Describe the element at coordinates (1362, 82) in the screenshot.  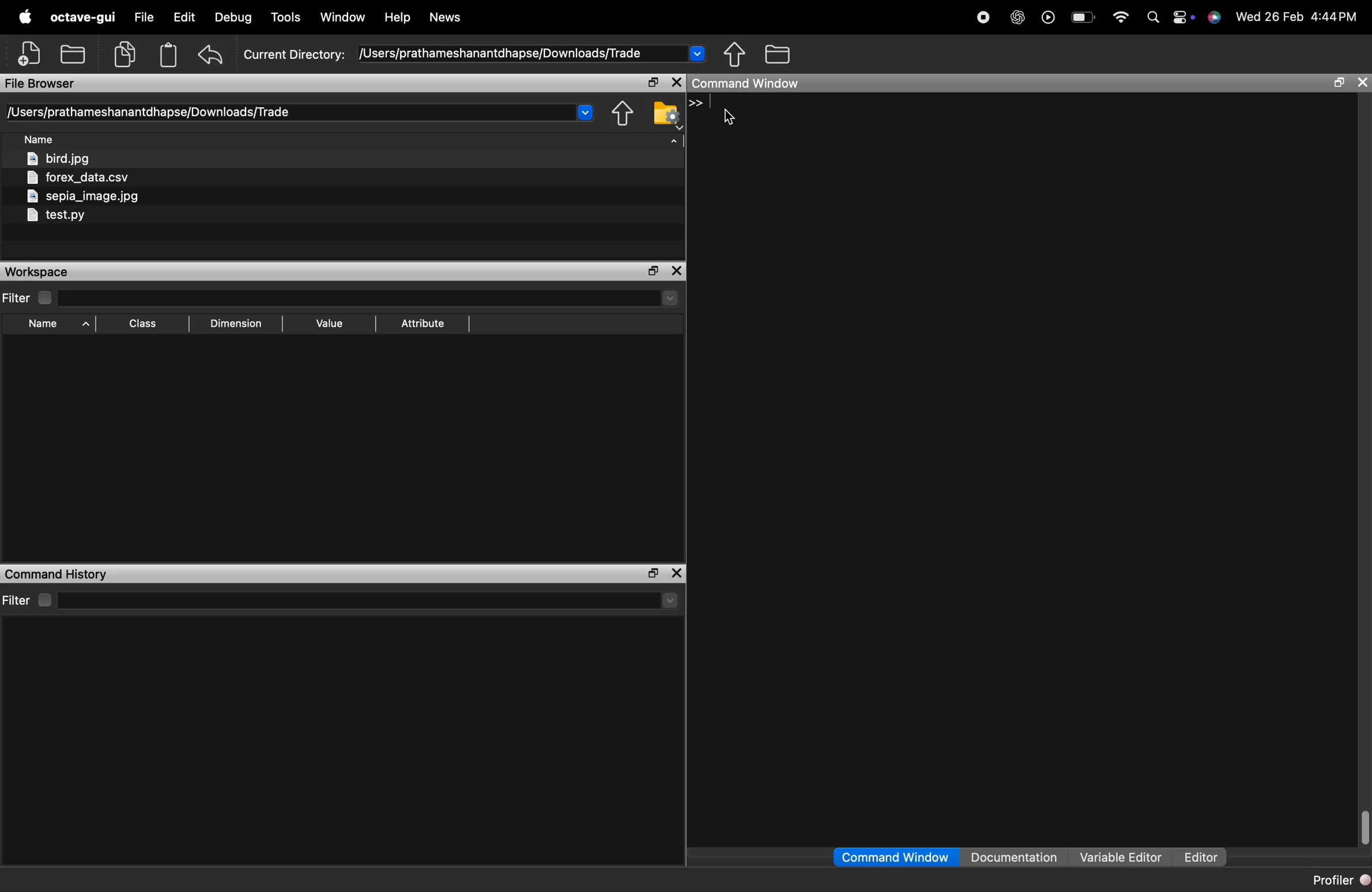
I see `close` at that location.